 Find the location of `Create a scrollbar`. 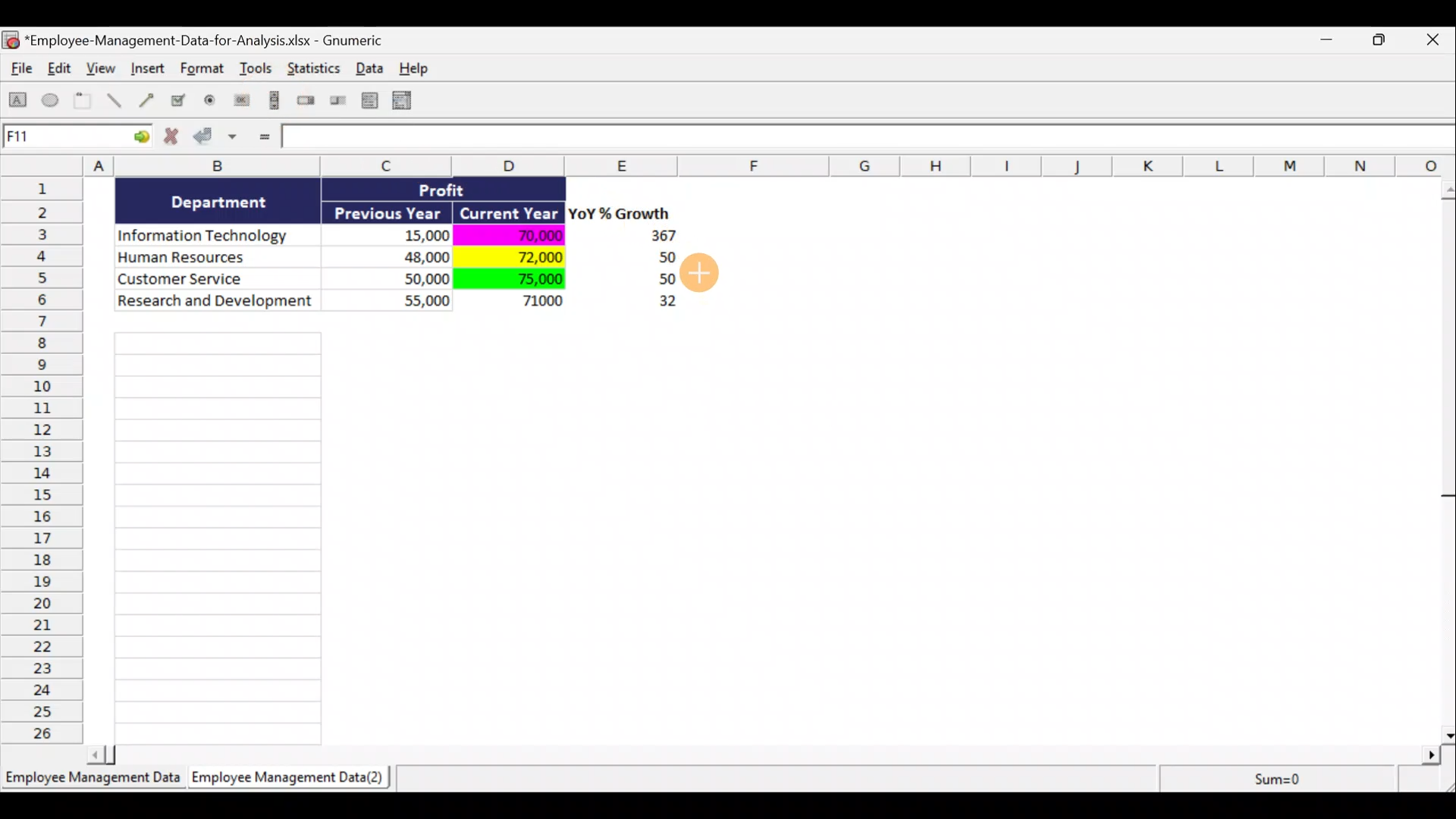

Create a scrollbar is located at coordinates (272, 103).